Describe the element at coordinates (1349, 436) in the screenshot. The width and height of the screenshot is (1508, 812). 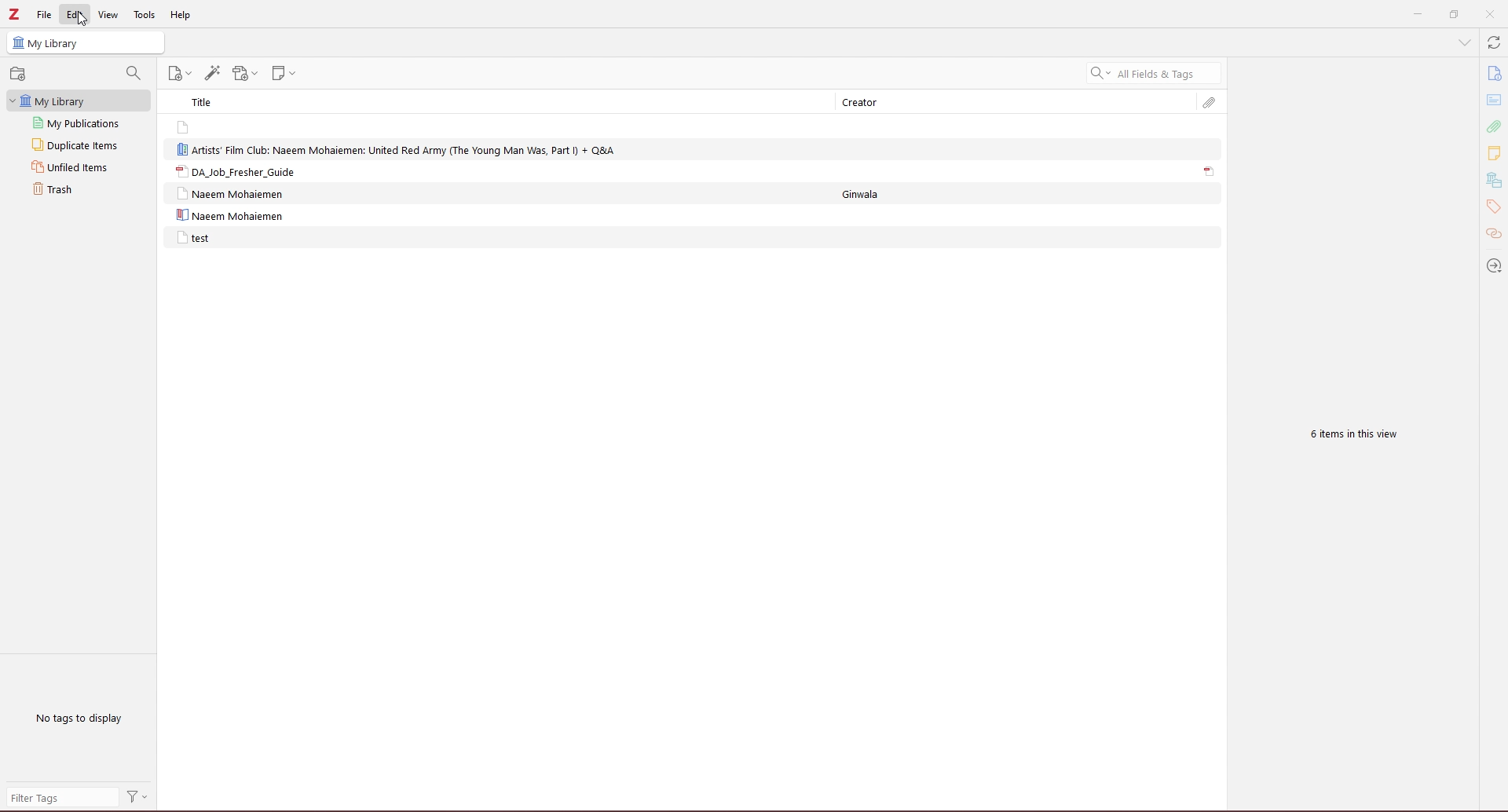
I see `6 items in this view` at that location.